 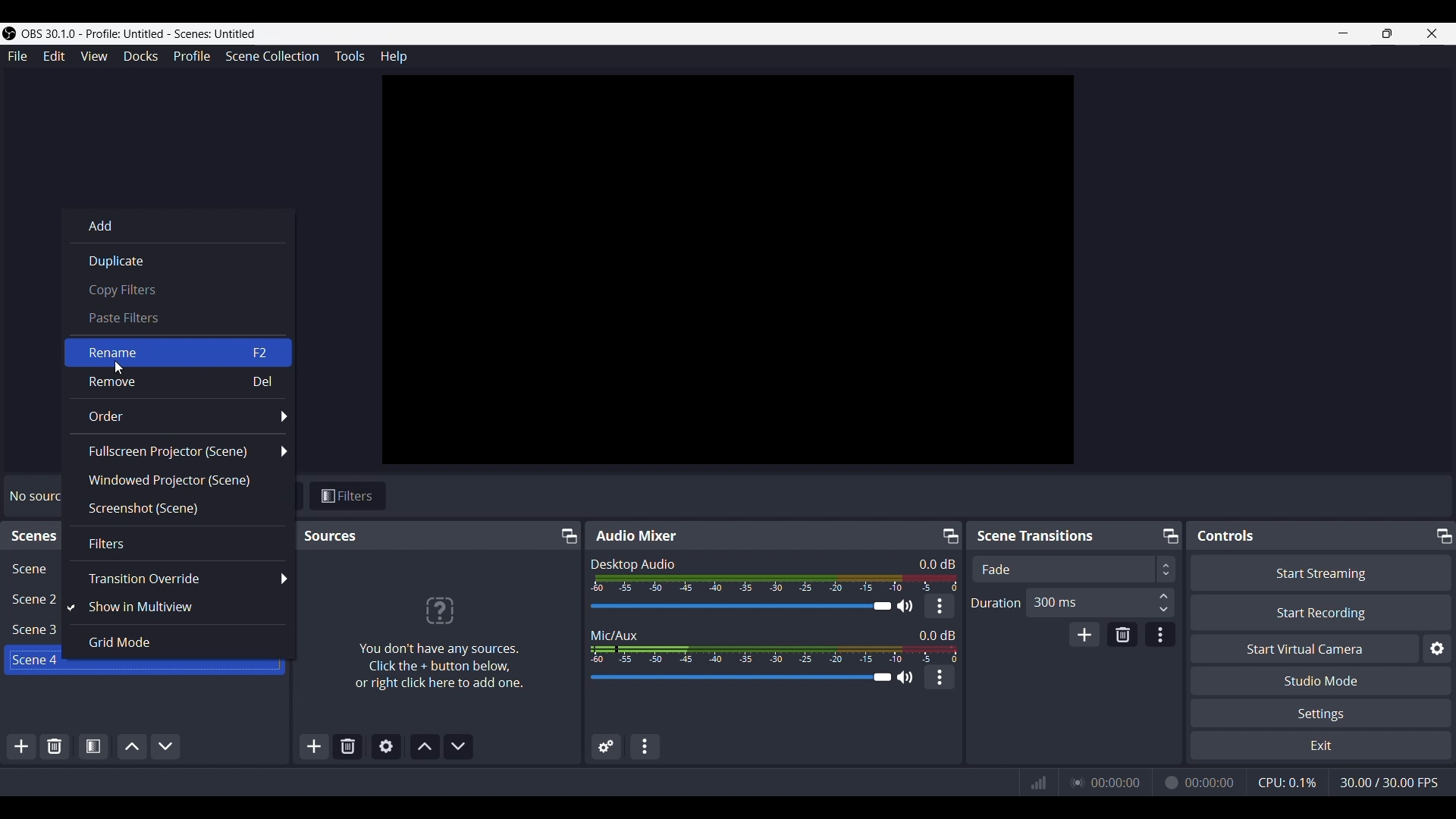 What do you see at coordinates (108, 543) in the screenshot?
I see `Filters` at bounding box center [108, 543].